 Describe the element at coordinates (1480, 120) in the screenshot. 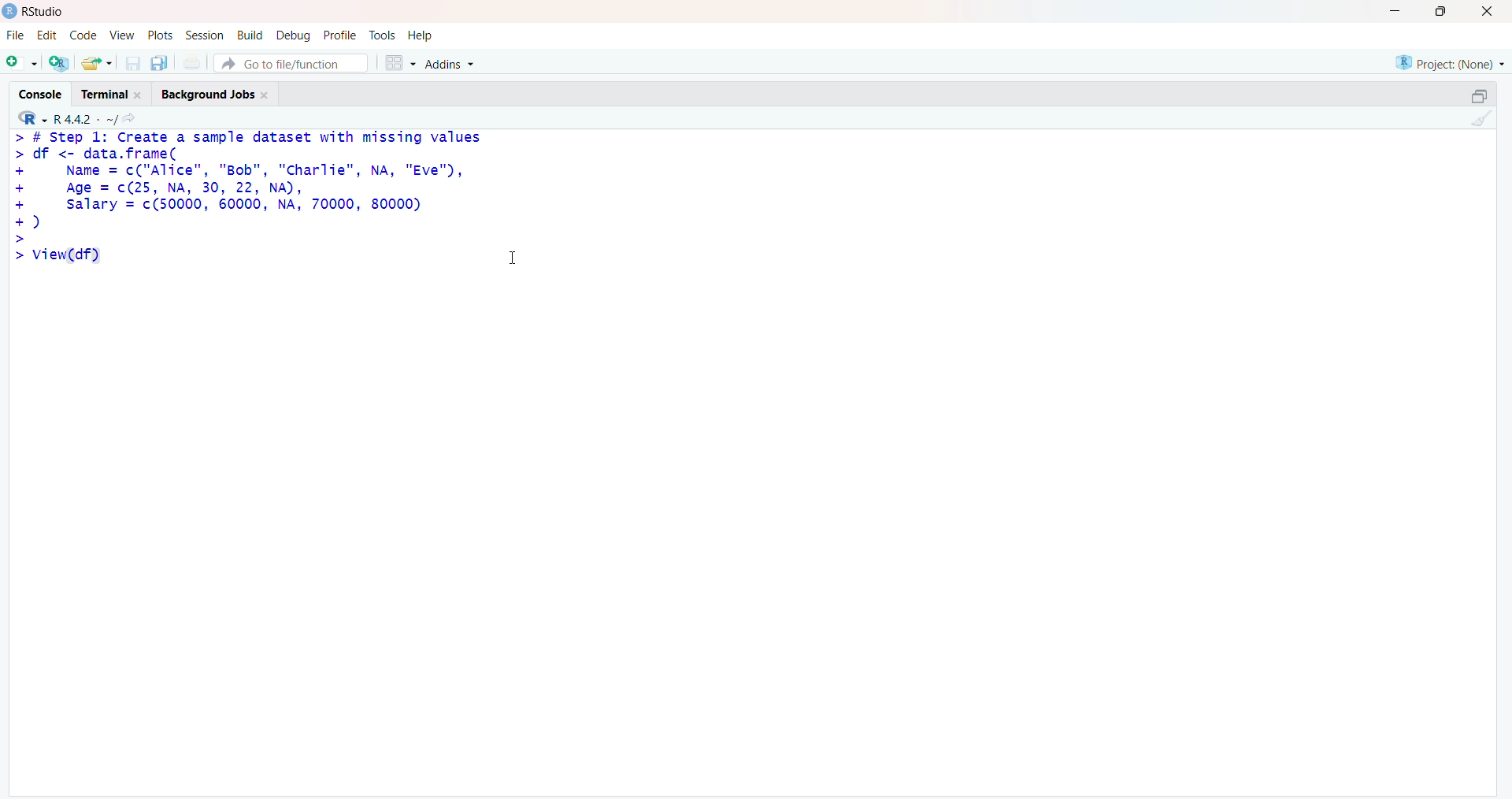

I see `Clear console (Ctrl + L)` at that location.